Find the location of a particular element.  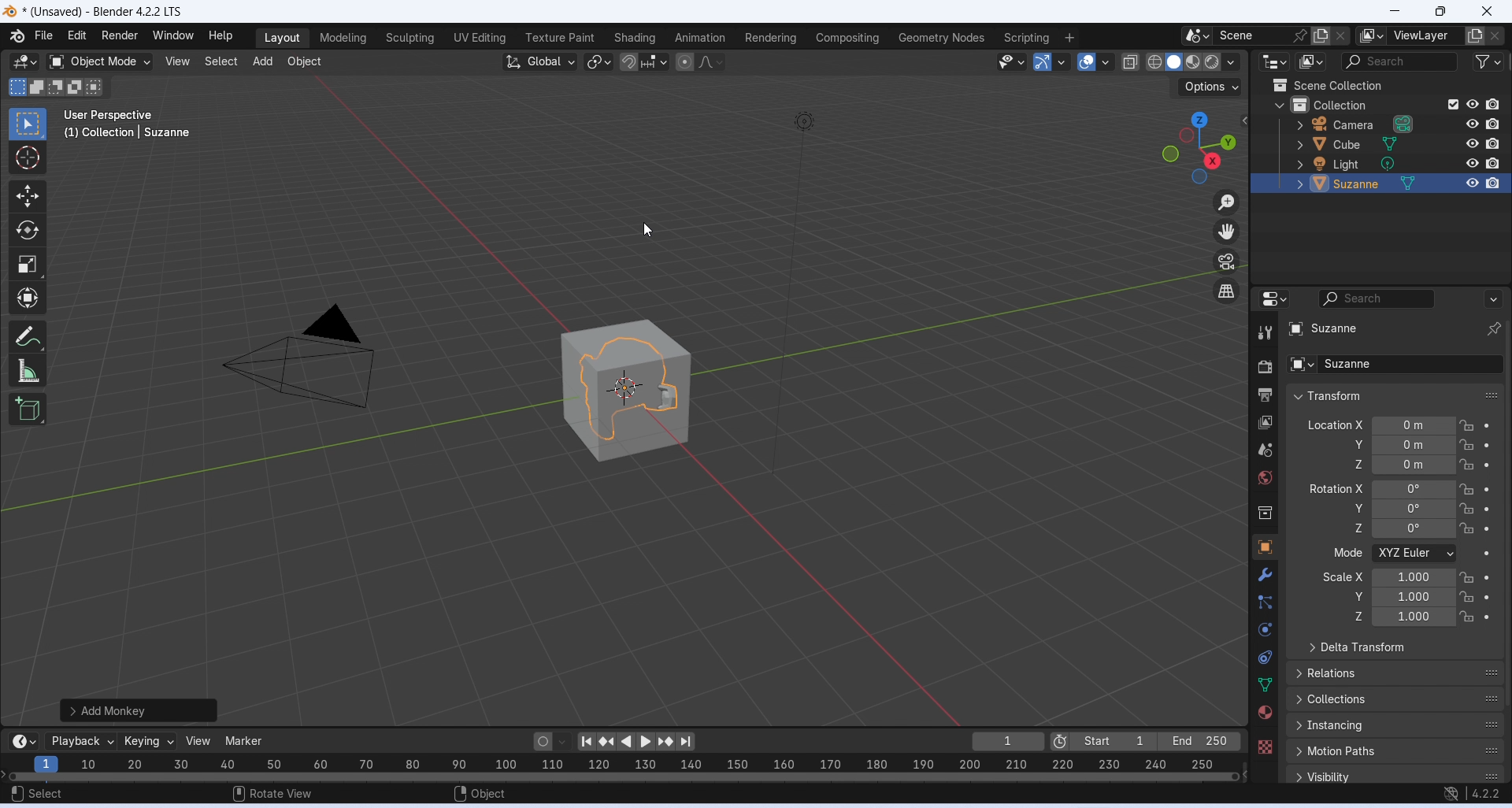

solid viewport shading is located at coordinates (1173, 62).